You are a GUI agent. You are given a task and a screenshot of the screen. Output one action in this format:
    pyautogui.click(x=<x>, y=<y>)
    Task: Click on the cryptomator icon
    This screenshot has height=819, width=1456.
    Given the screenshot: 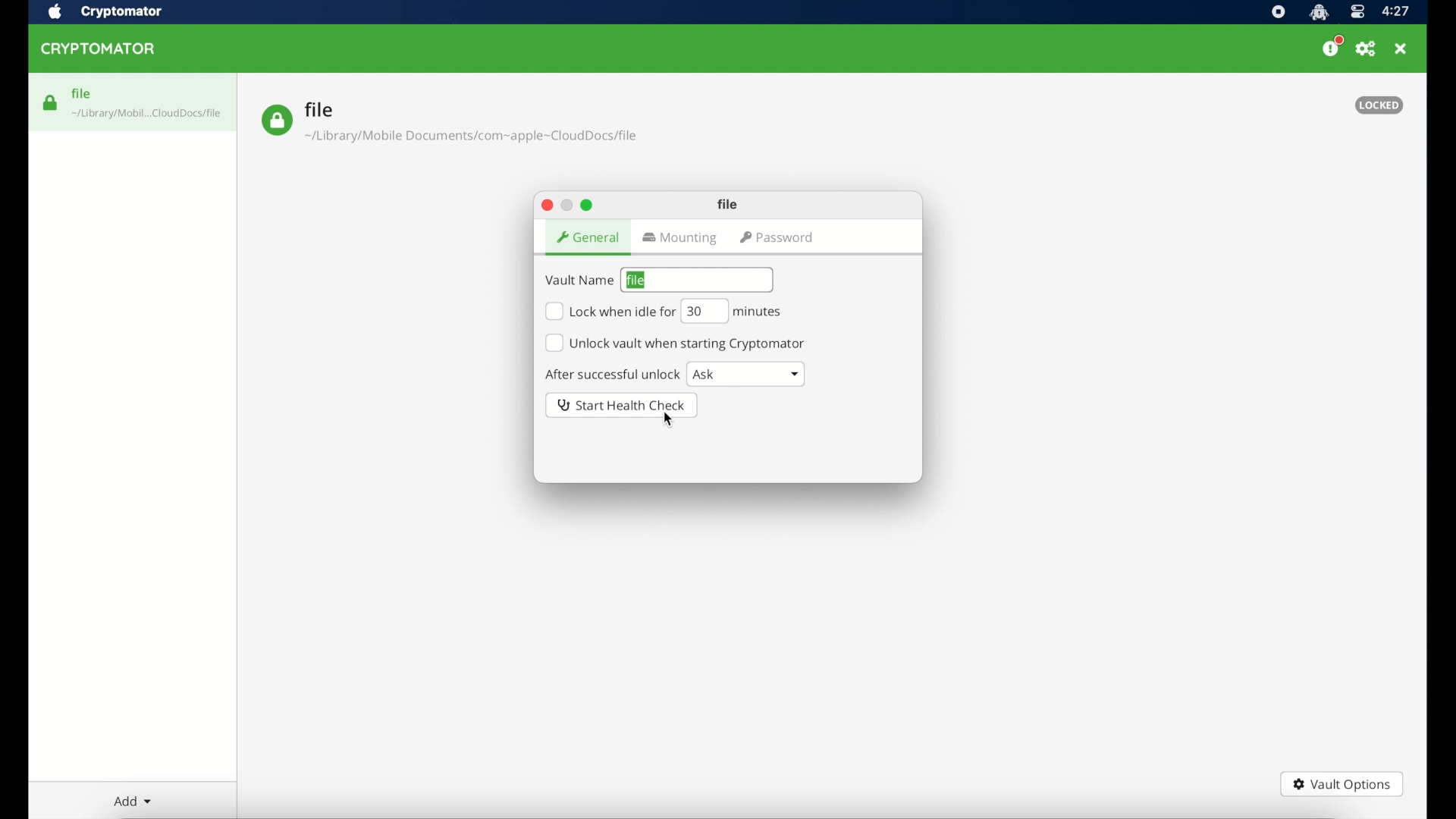 What is the action you would take?
    pyautogui.click(x=1319, y=12)
    